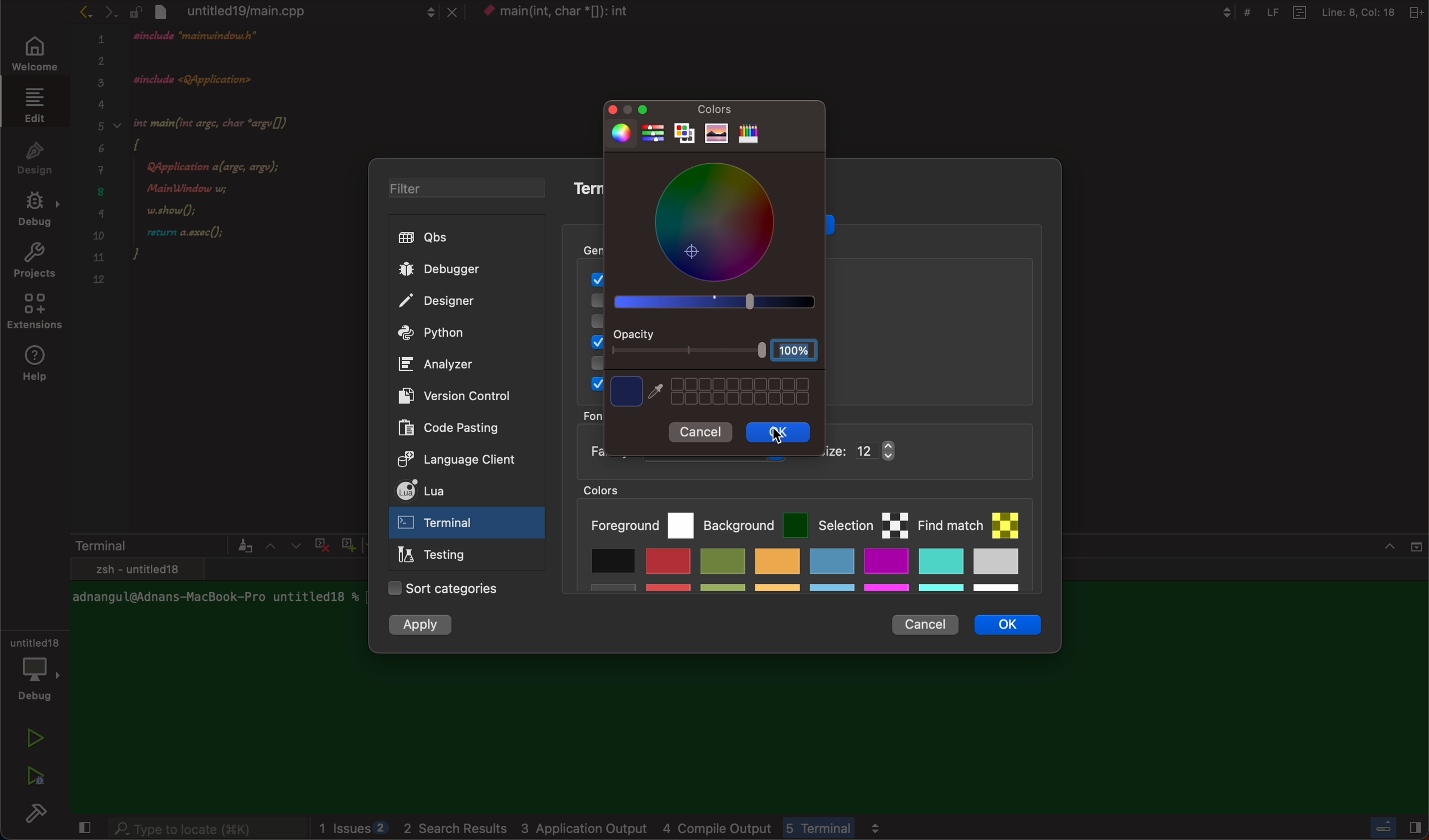  What do you see at coordinates (35, 156) in the screenshot?
I see `design` at bounding box center [35, 156].